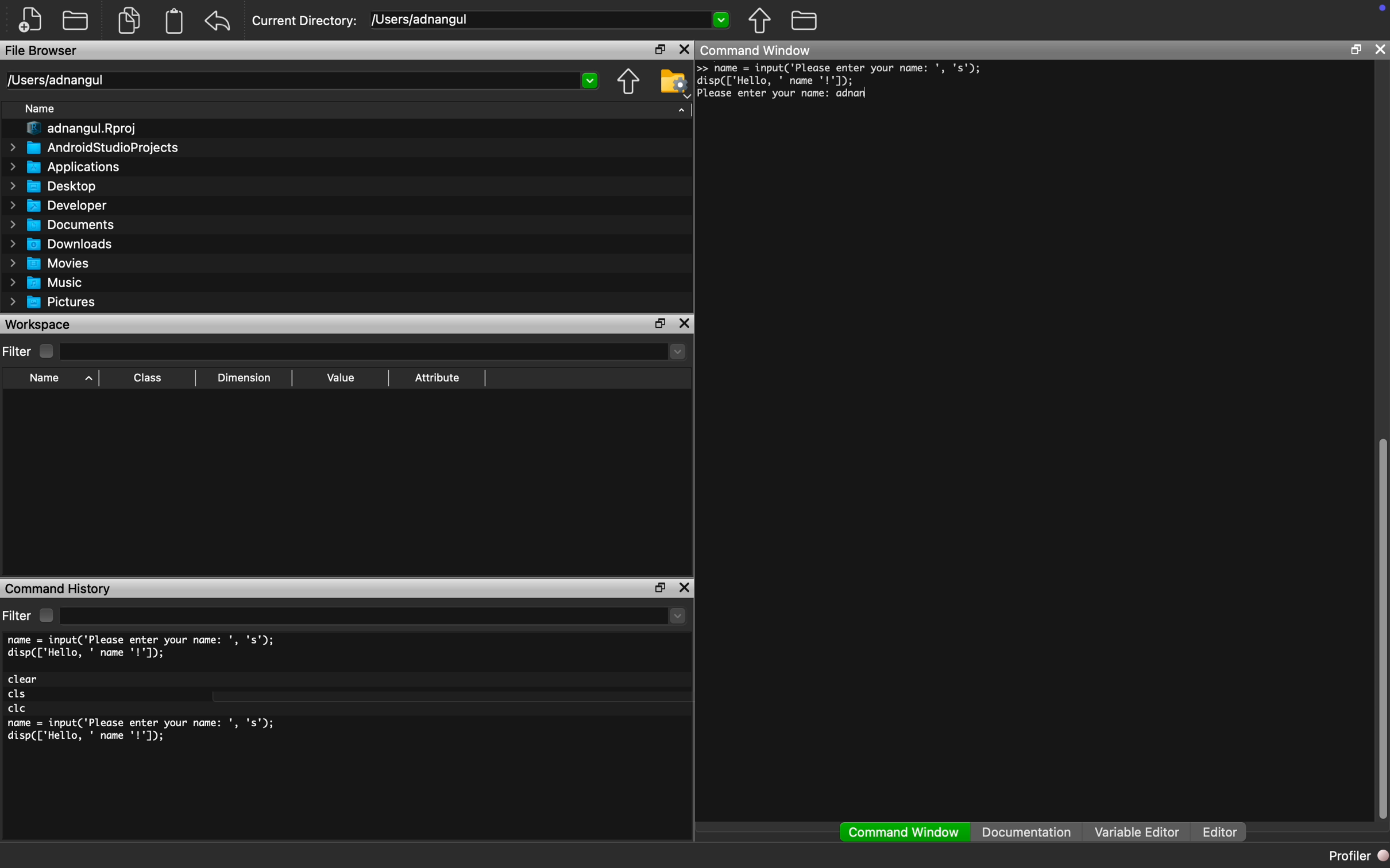  Describe the element at coordinates (782, 94) in the screenshot. I see `Please enter your name: adnan` at that location.